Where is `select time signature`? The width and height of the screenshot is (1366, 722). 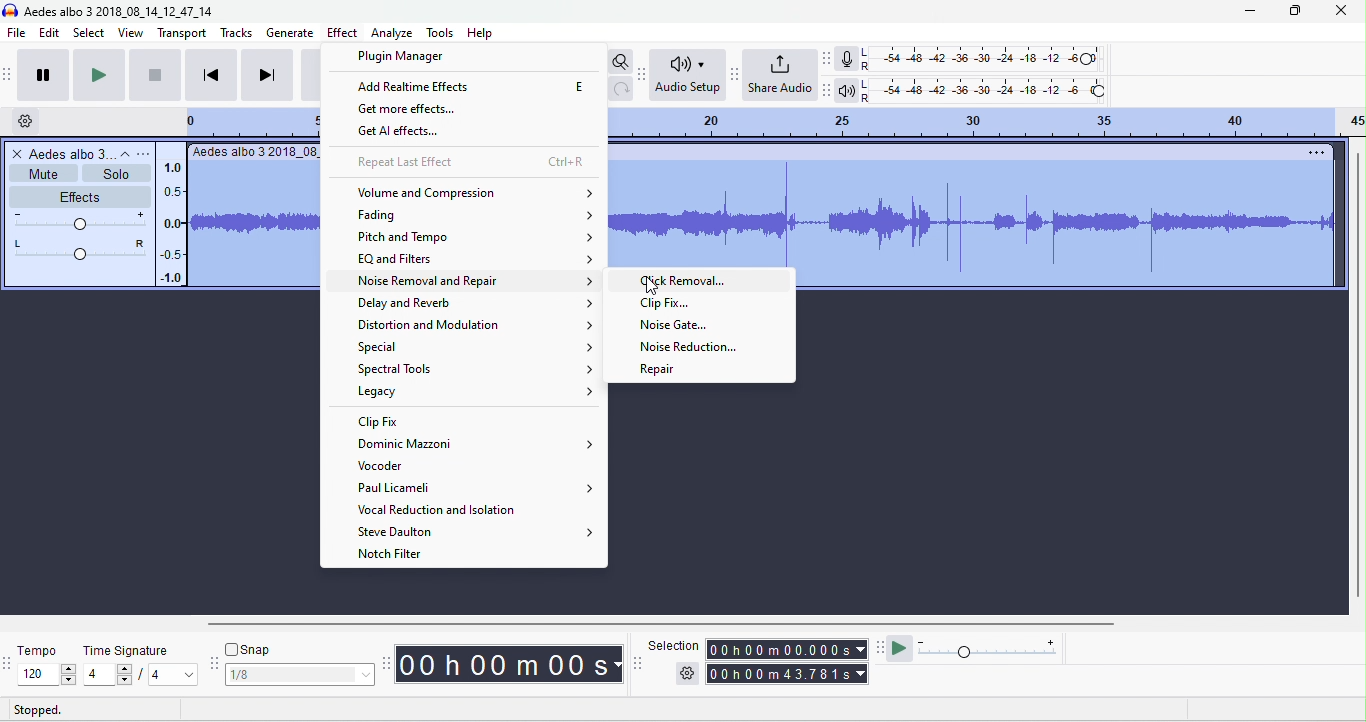
select time signature is located at coordinates (139, 675).